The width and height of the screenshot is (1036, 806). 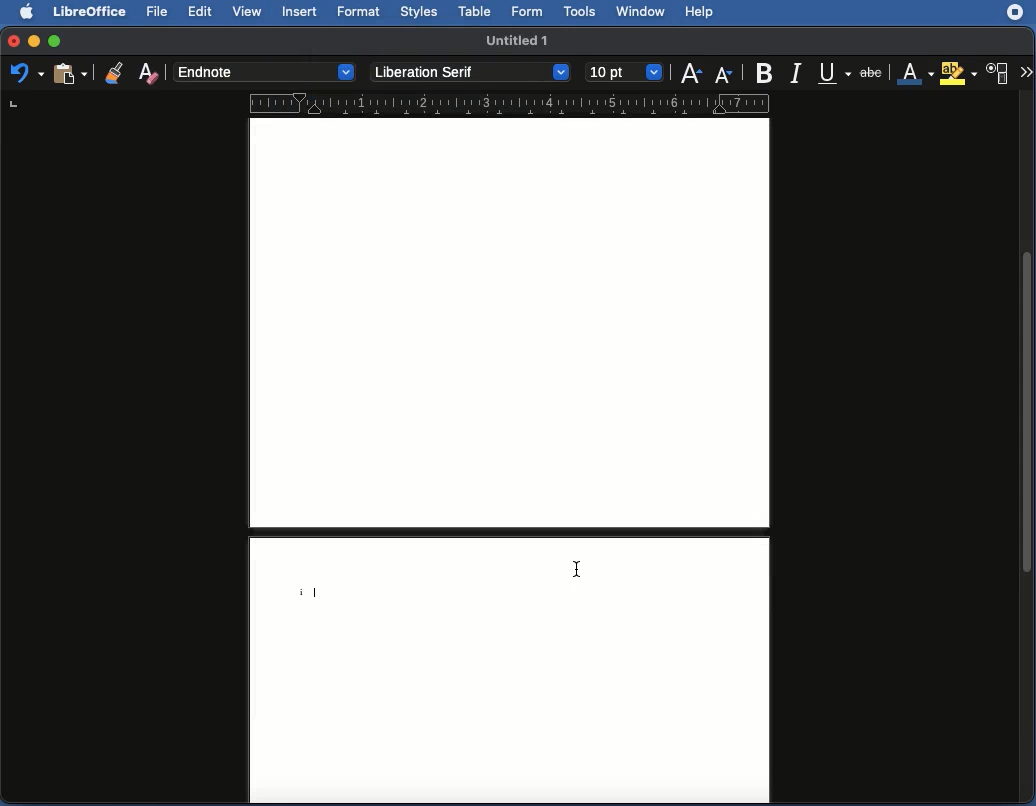 What do you see at coordinates (519, 39) in the screenshot?
I see `Name` at bounding box center [519, 39].